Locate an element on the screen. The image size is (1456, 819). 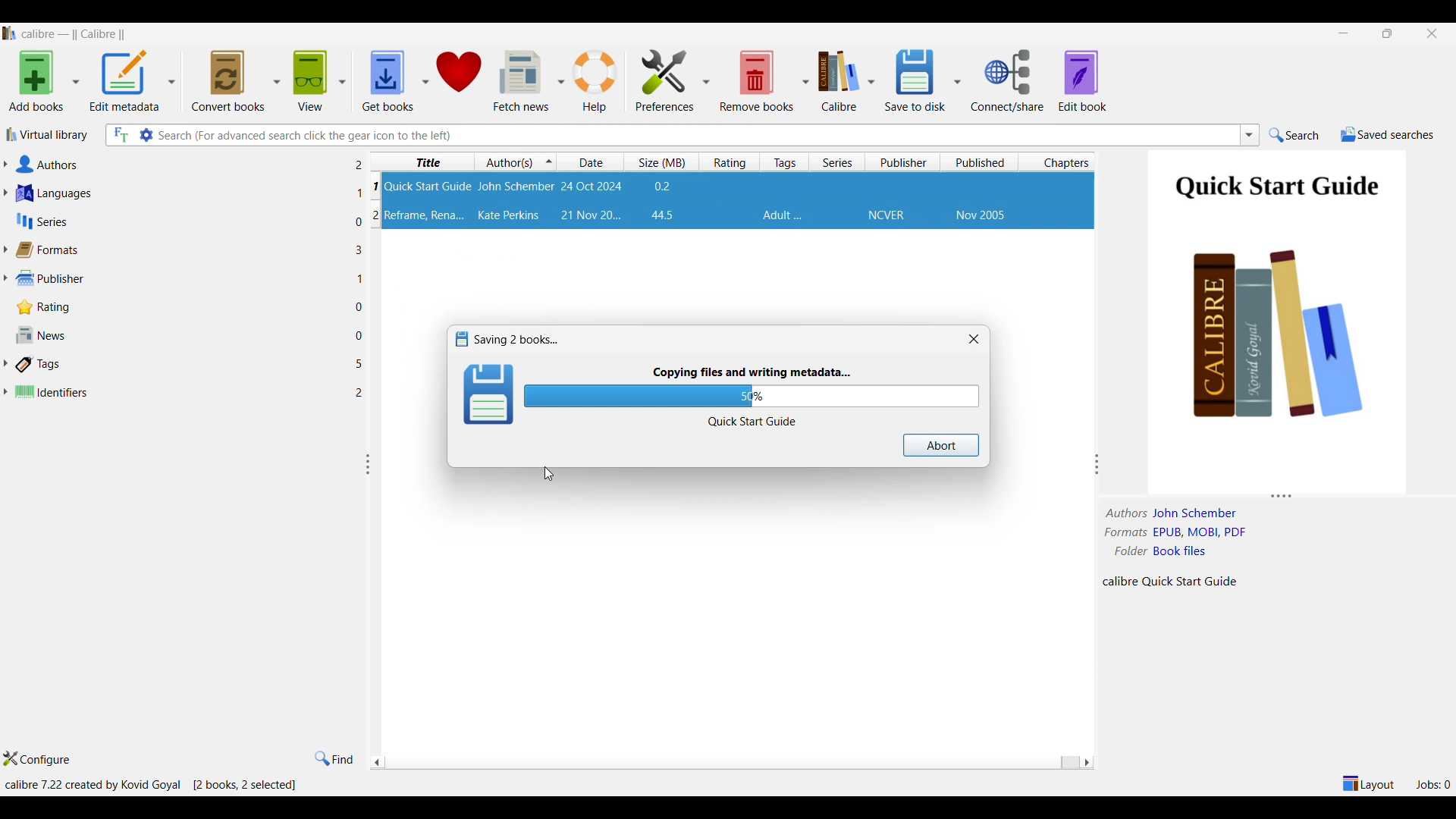
Advanced search is located at coordinates (146, 135).